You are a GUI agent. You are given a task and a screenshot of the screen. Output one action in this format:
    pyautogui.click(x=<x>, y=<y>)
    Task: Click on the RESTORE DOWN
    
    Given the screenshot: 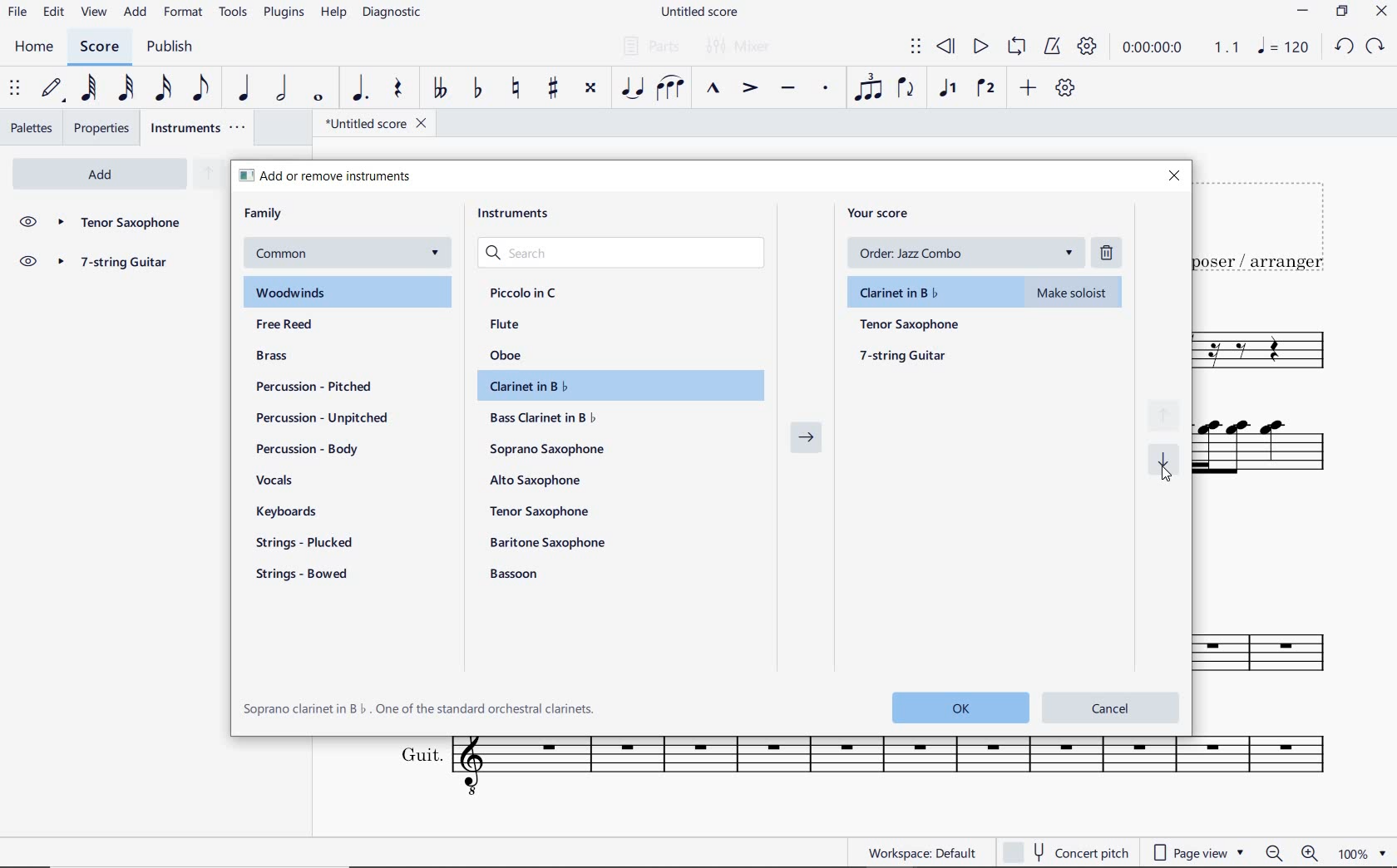 What is the action you would take?
    pyautogui.click(x=1345, y=12)
    